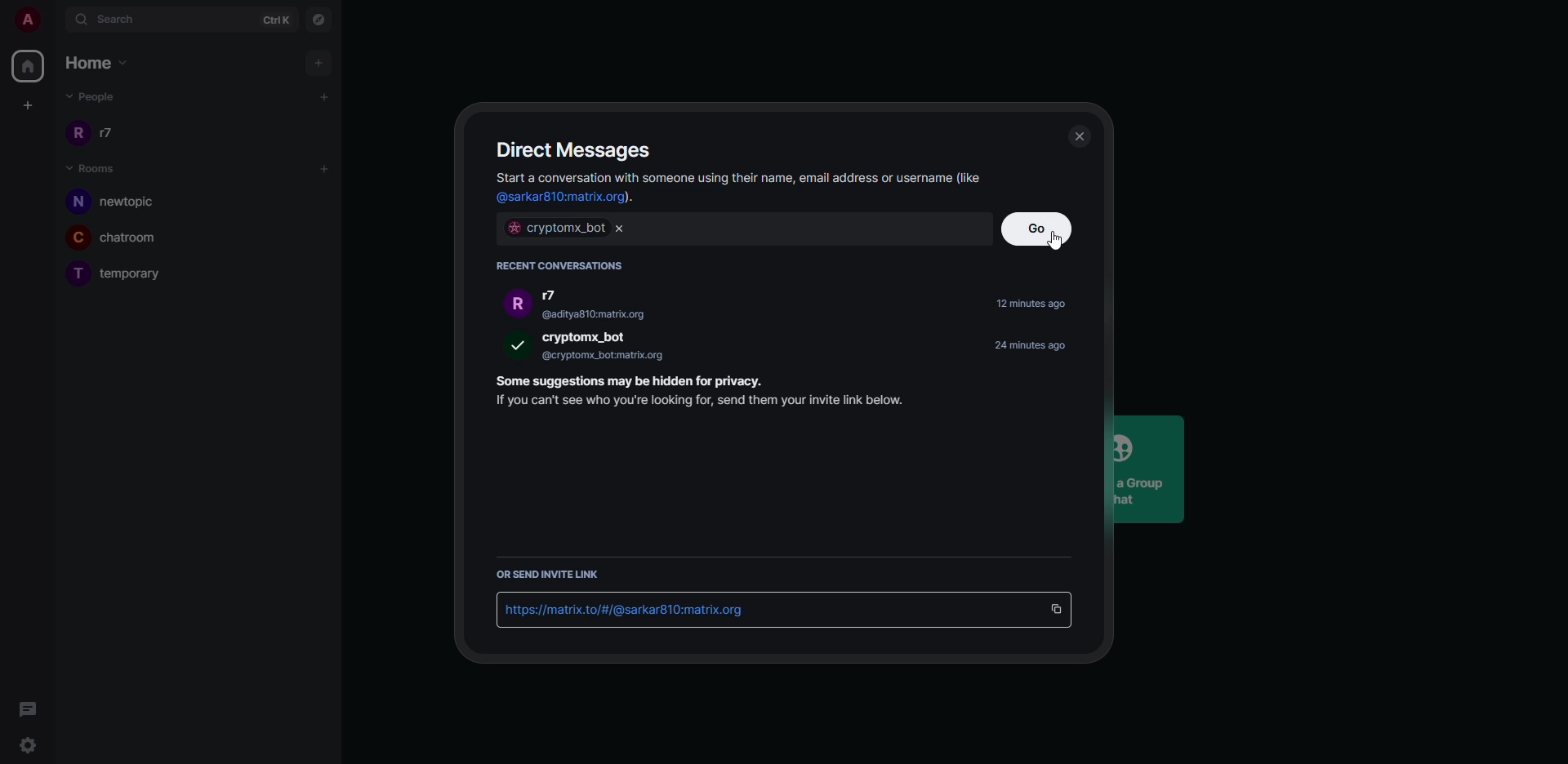  Describe the element at coordinates (547, 574) in the screenshot. I see `send link` at that location.